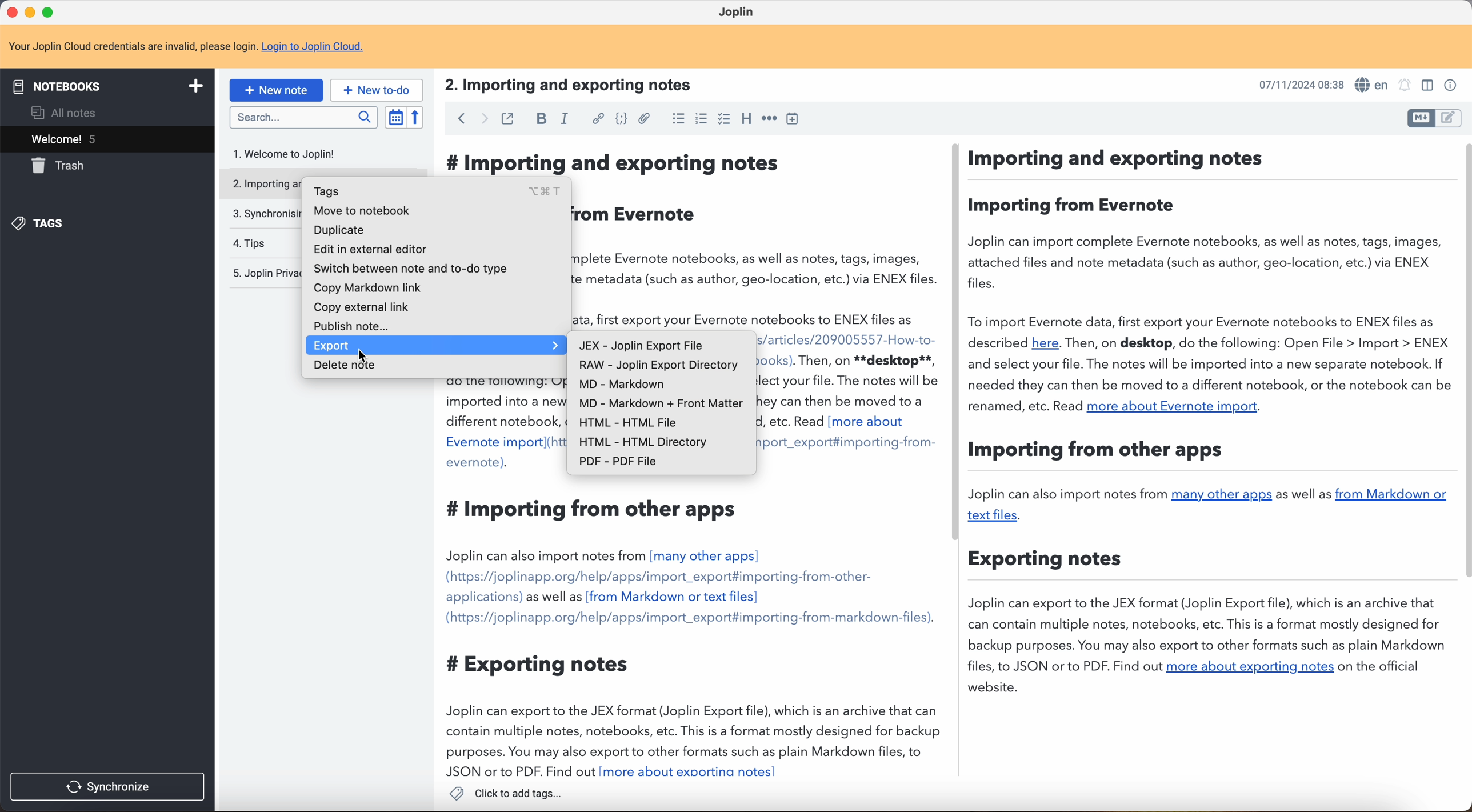 The width and height of the screenshot is (1472, 812). What do you see at coordinates (795, 120) in the screenshot?
I see `insert time` at bounding box center [795, 120].